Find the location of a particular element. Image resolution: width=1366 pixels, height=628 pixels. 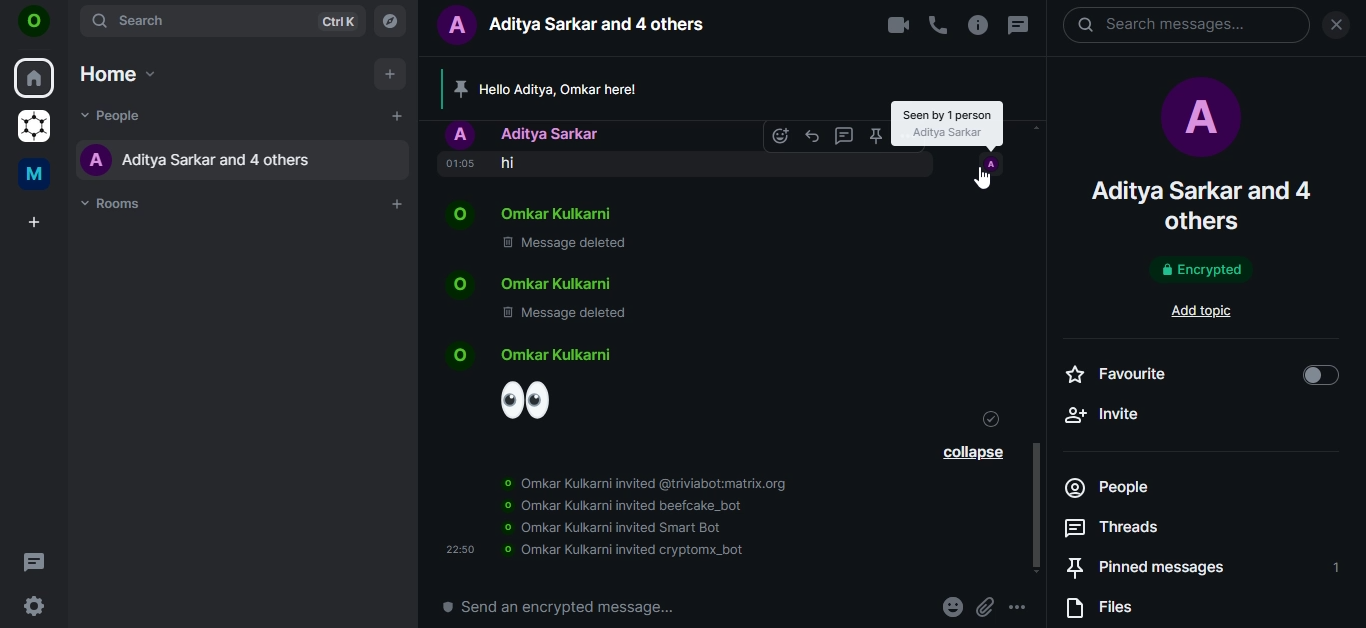

create a space is located at coordinates (32, 223).